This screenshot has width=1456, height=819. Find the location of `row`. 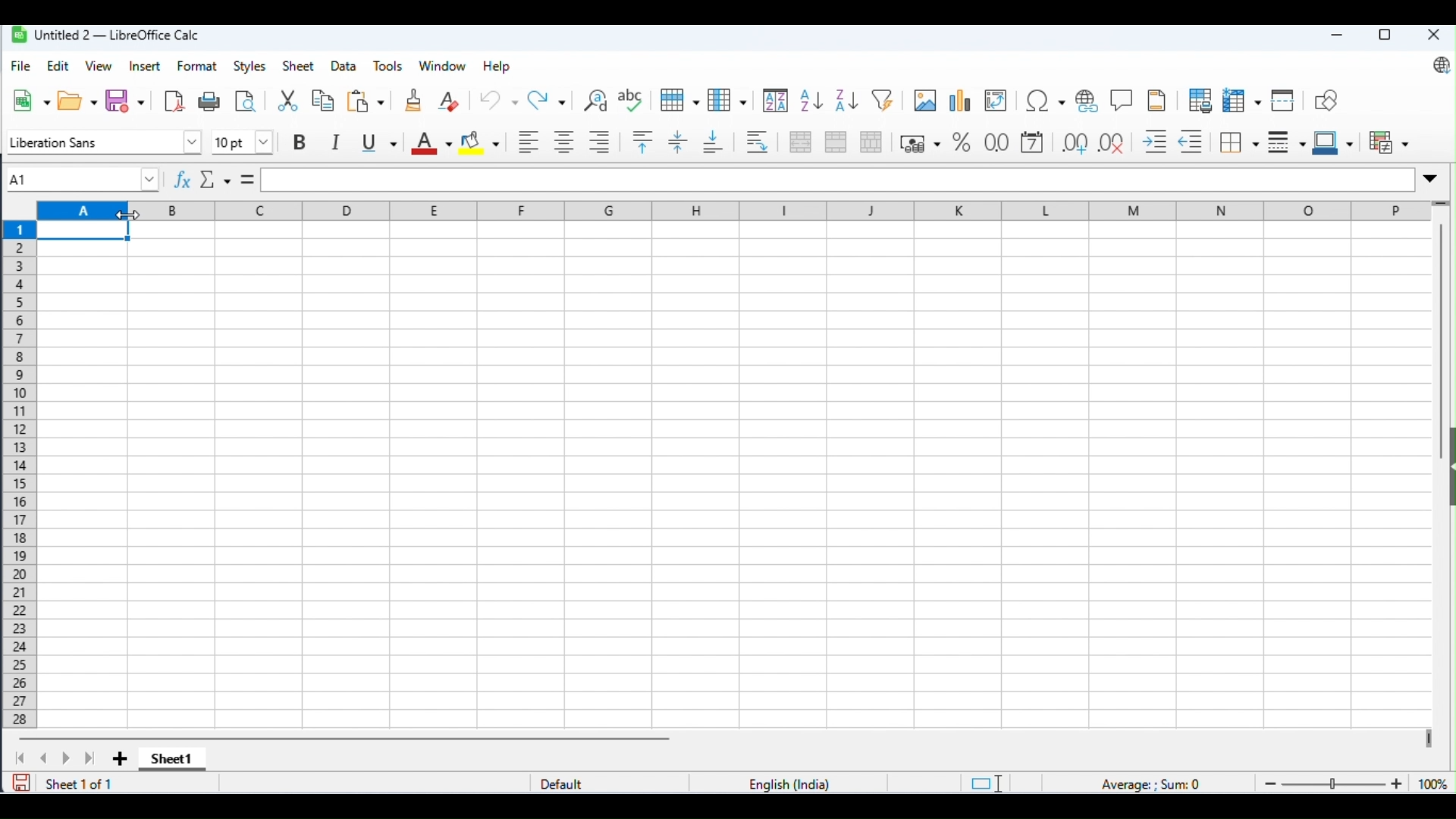

row is located at coordinates (679, 100).